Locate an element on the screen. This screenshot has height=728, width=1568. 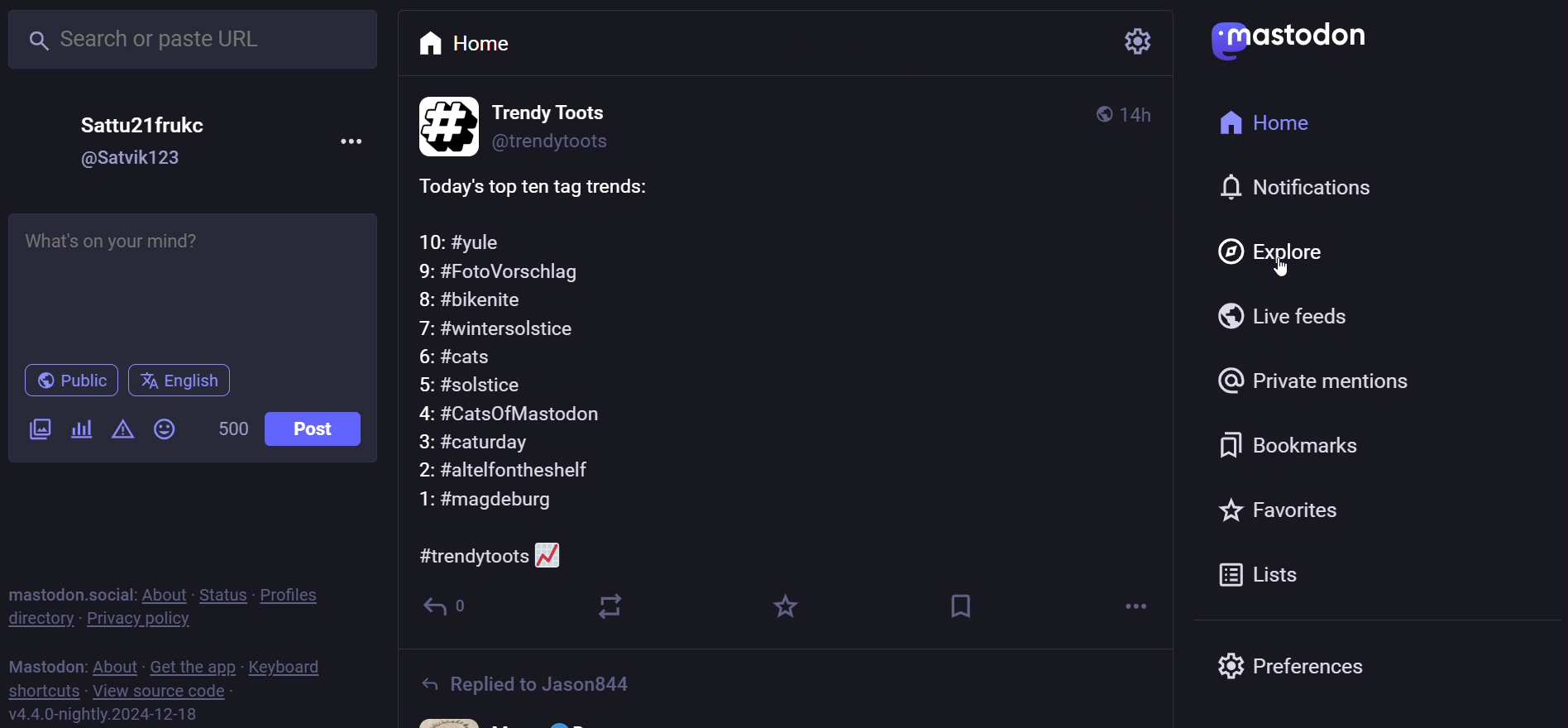
list is located at coordinates (1260, 574).